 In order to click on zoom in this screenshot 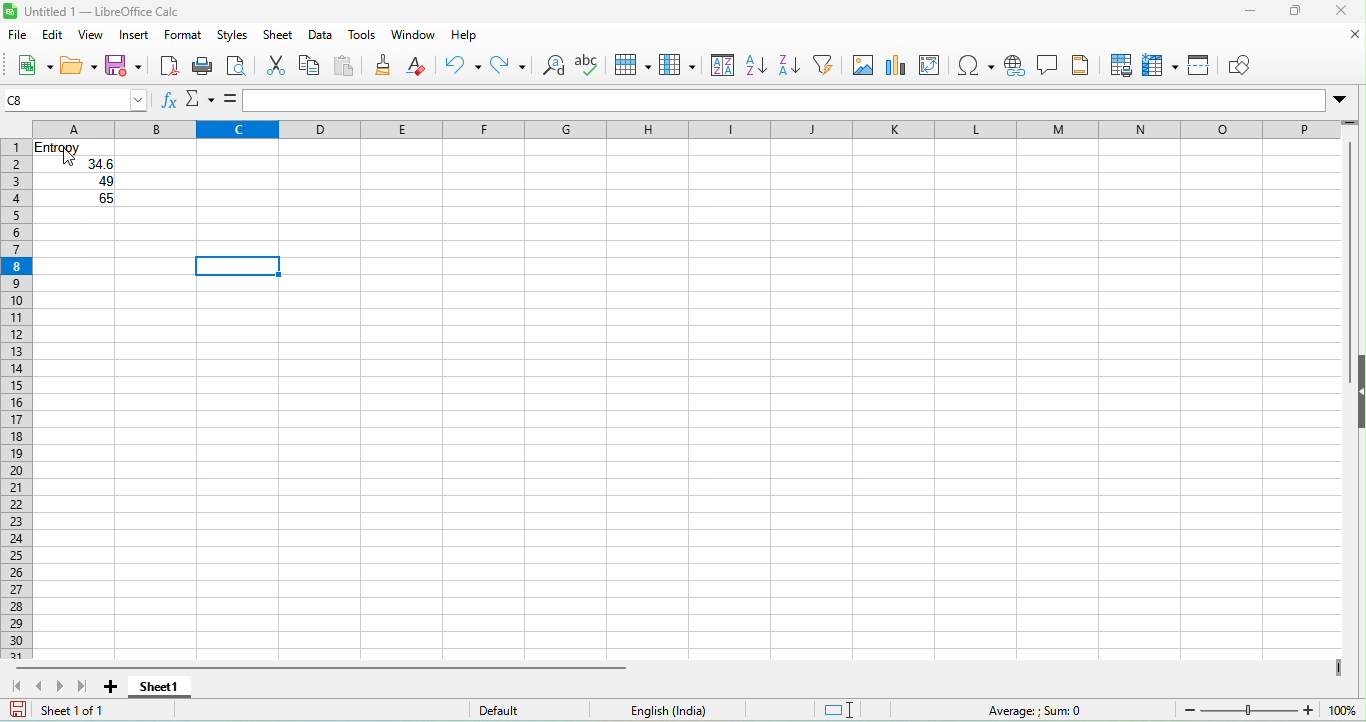, I will do `click(1346, 710)`.